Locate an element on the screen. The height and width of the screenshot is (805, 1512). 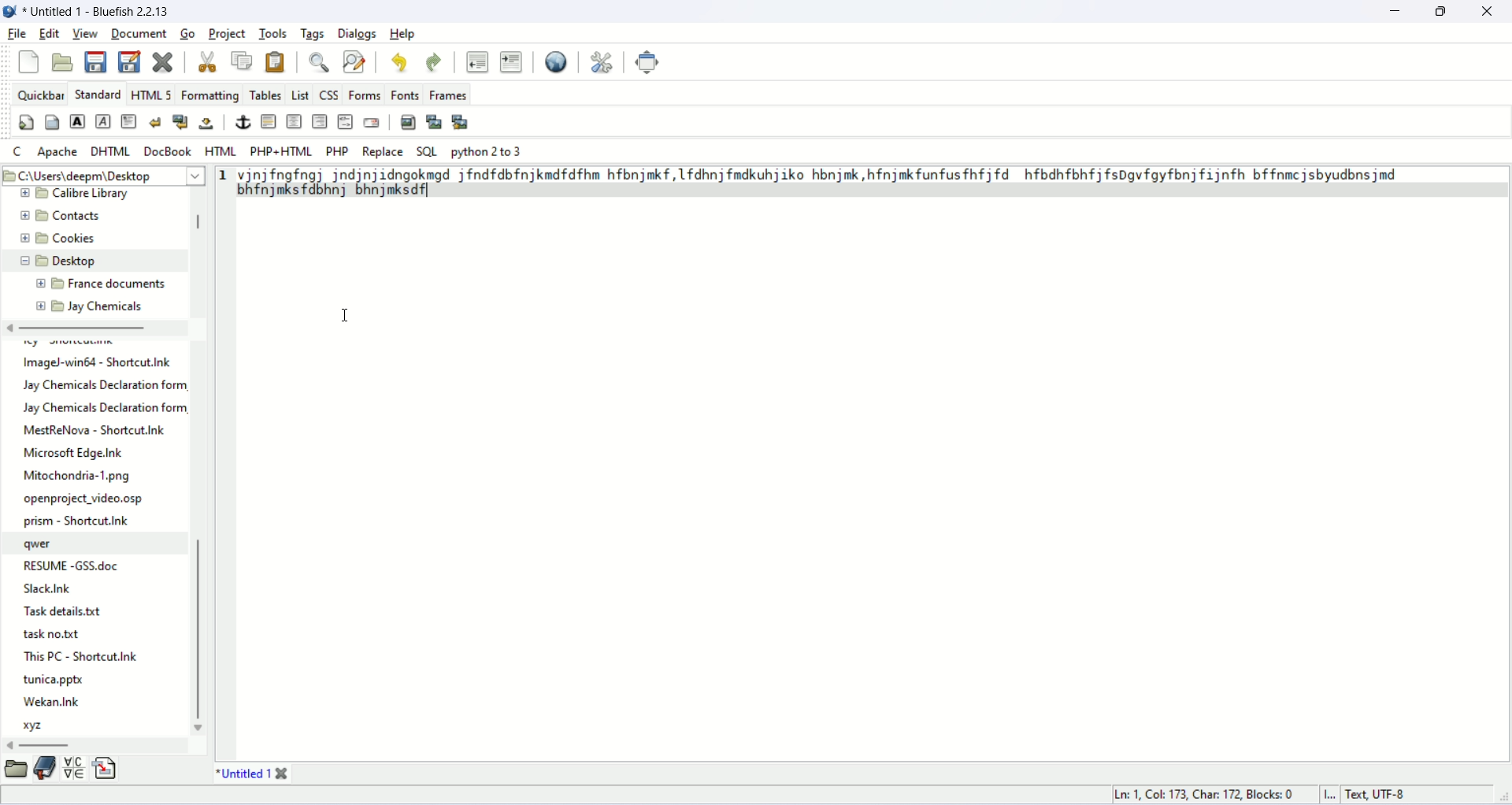
close current file is located at coordinates (161, 61).